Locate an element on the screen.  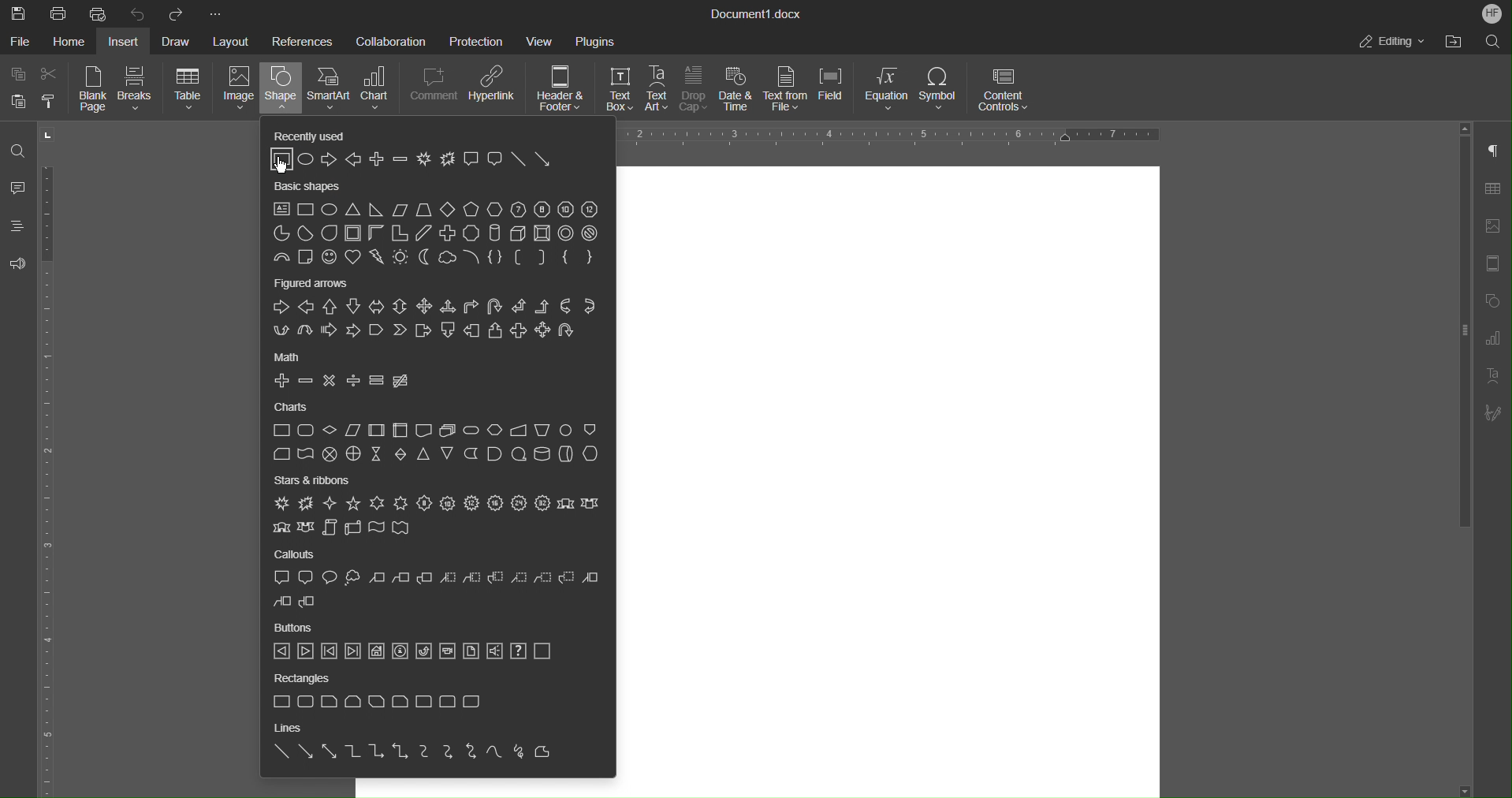
Recently Used is located at coordinates (305, 133).